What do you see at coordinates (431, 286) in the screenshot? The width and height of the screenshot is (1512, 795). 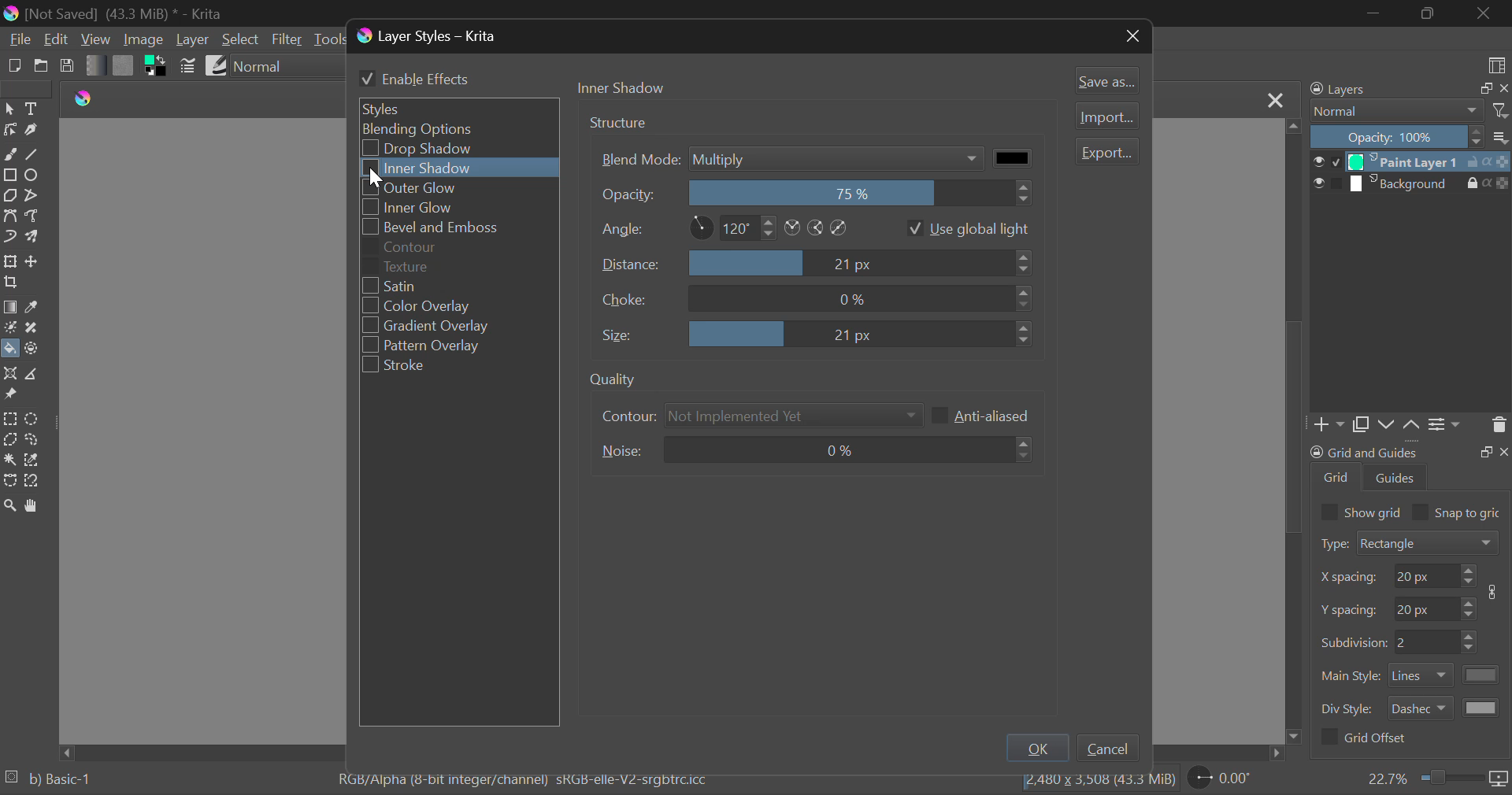 I see `Satin` at bounding box center [431, 286].